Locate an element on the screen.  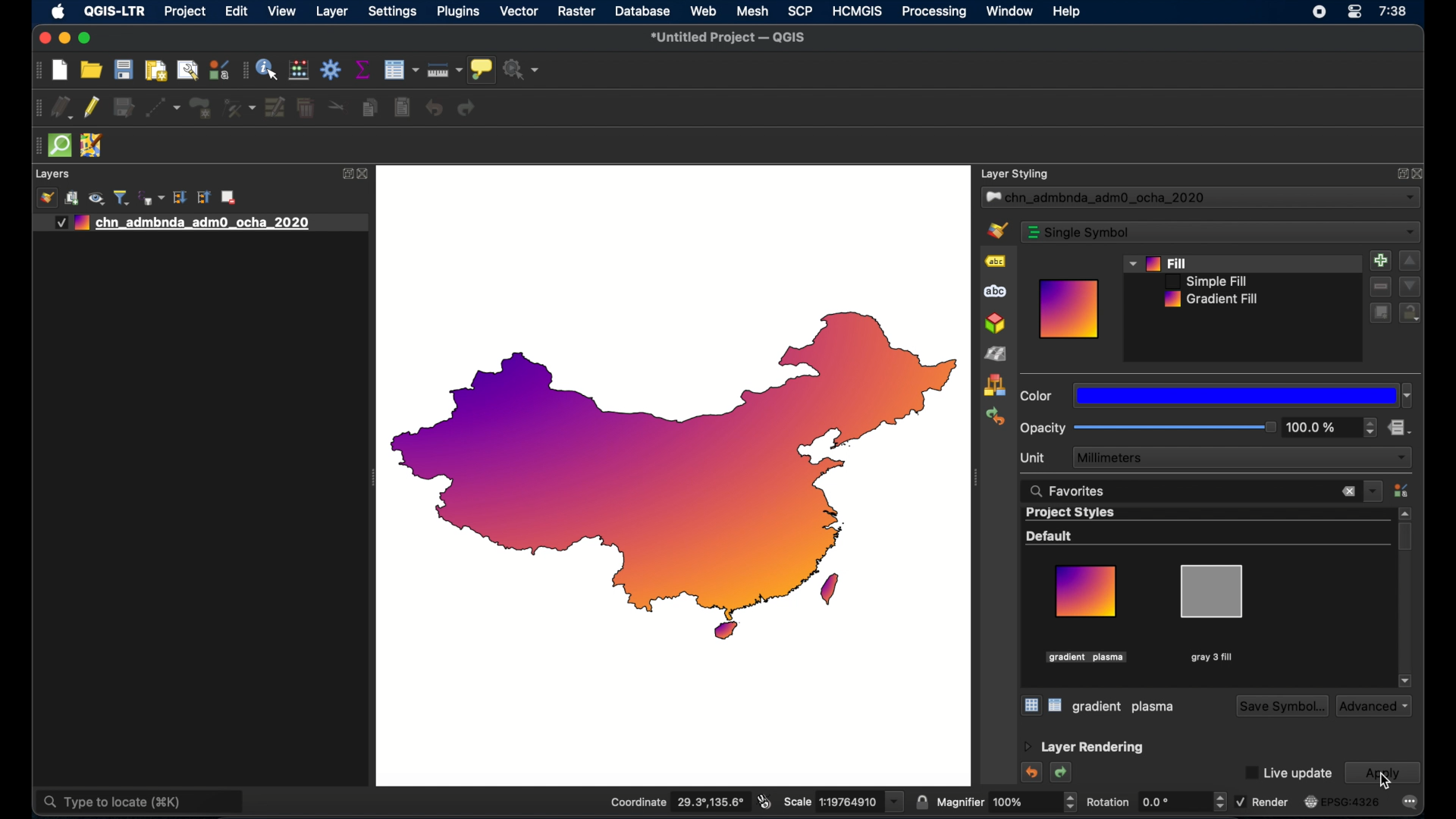
control center is located at coordinates (1355, 12).